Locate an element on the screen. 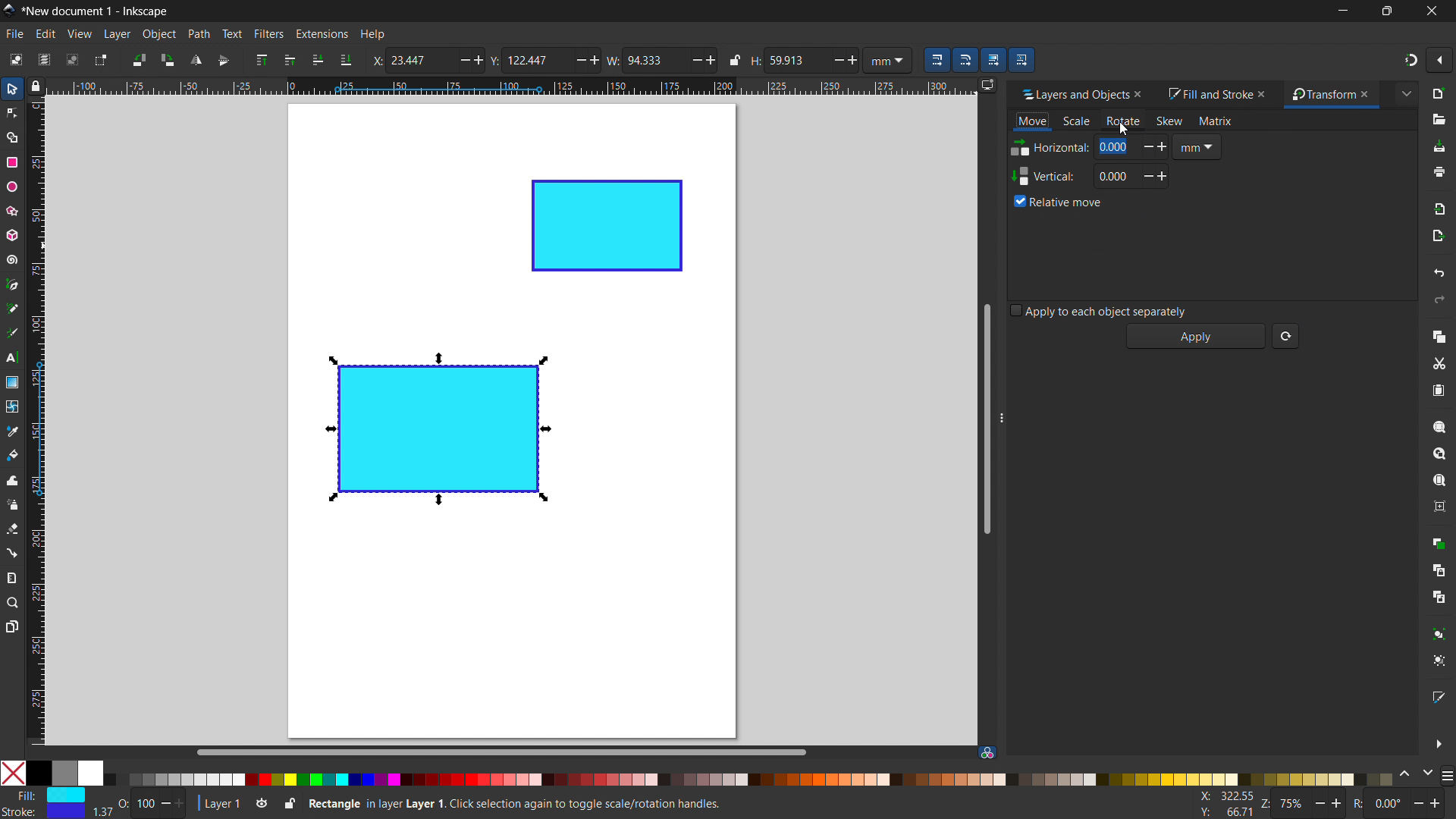 This screenshot has width=1456, height=819. Y: 160.93 is located at coordinates (1221, 813).